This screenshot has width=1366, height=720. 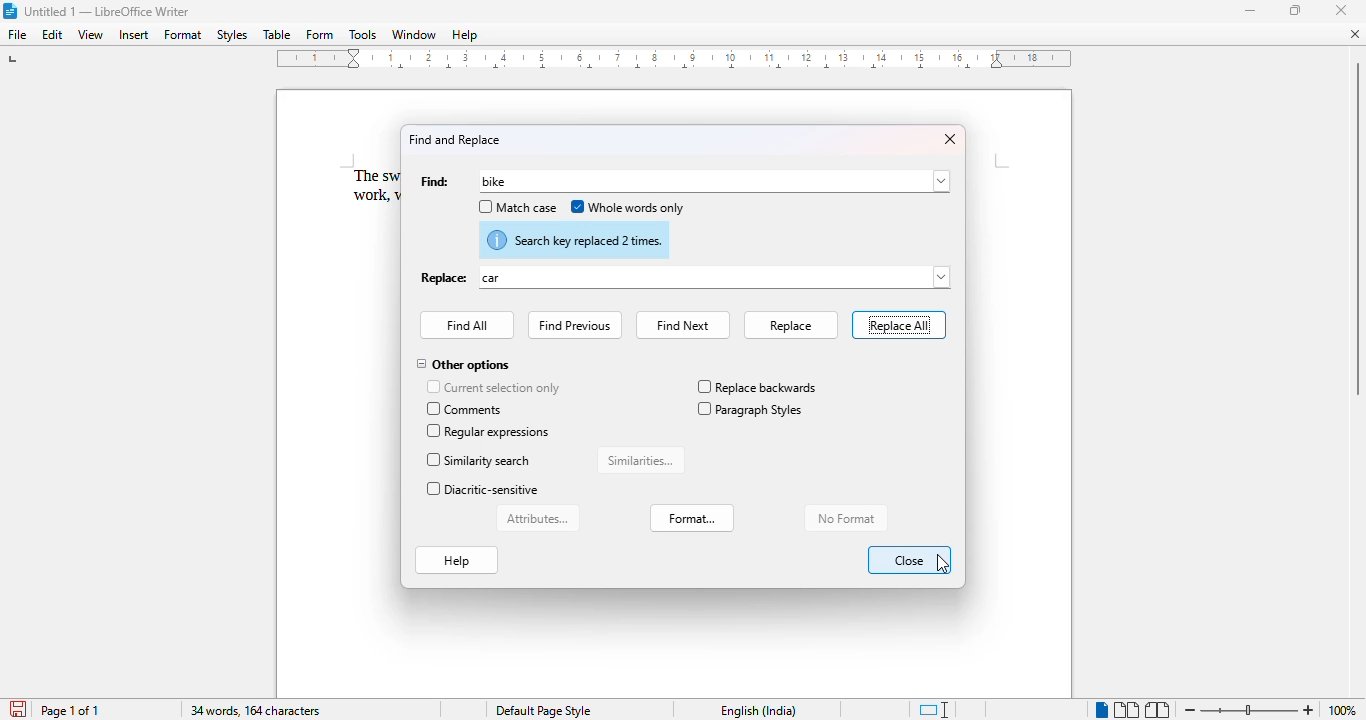 What do you see at coordinates (256, 711) in the screenshot?
I see `34 words, 164 characters` at bounding box center [256, 711].